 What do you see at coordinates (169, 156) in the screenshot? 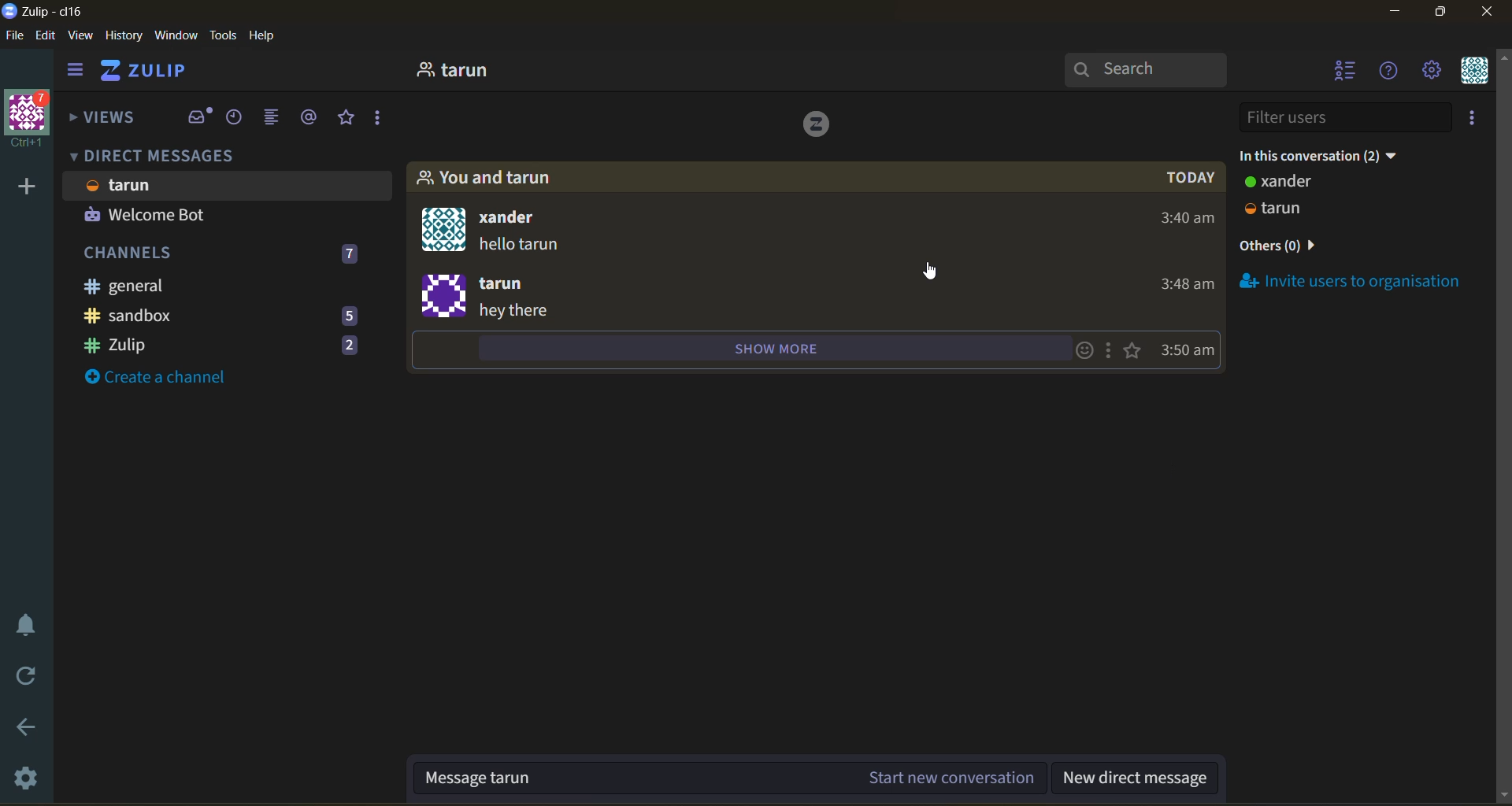
I see `direct messages` at bounding box center [169, 156].